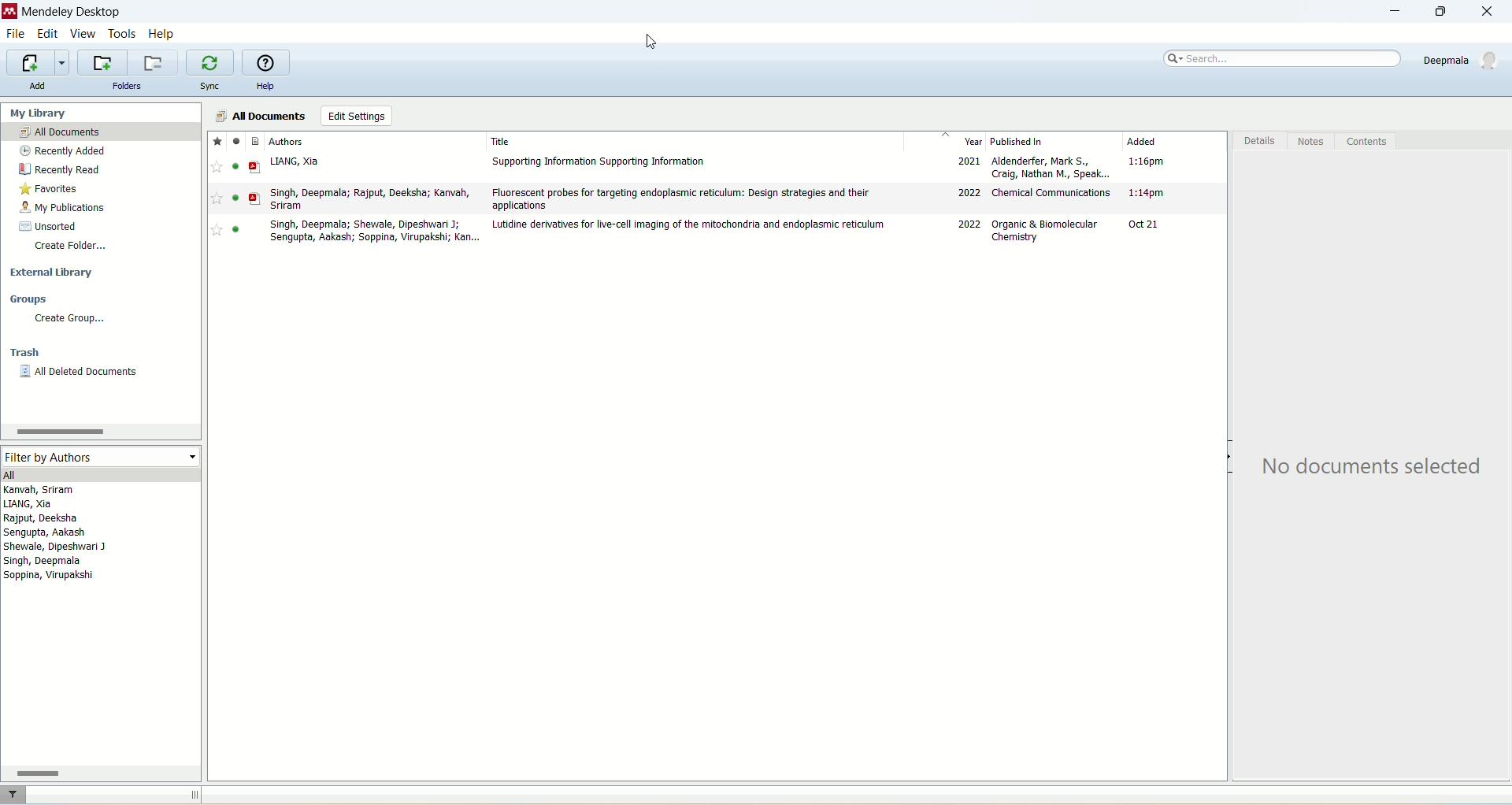 The image size is (1512, 805). Describe the element at coordinates (98, 473) in the screenshot. I see `all` at that location.